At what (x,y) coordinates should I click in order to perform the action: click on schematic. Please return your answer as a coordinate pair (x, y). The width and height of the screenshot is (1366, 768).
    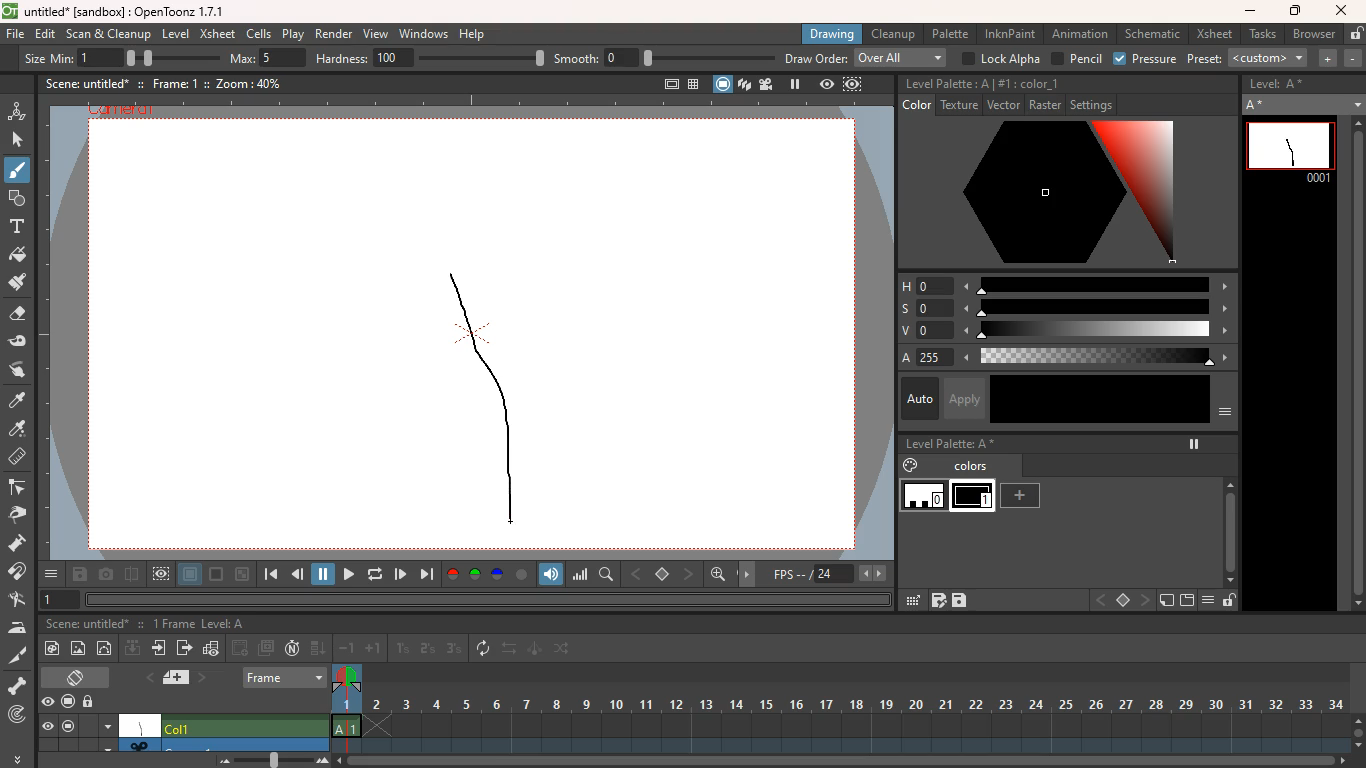
    Looking at the image, I should click on (1154, 34).